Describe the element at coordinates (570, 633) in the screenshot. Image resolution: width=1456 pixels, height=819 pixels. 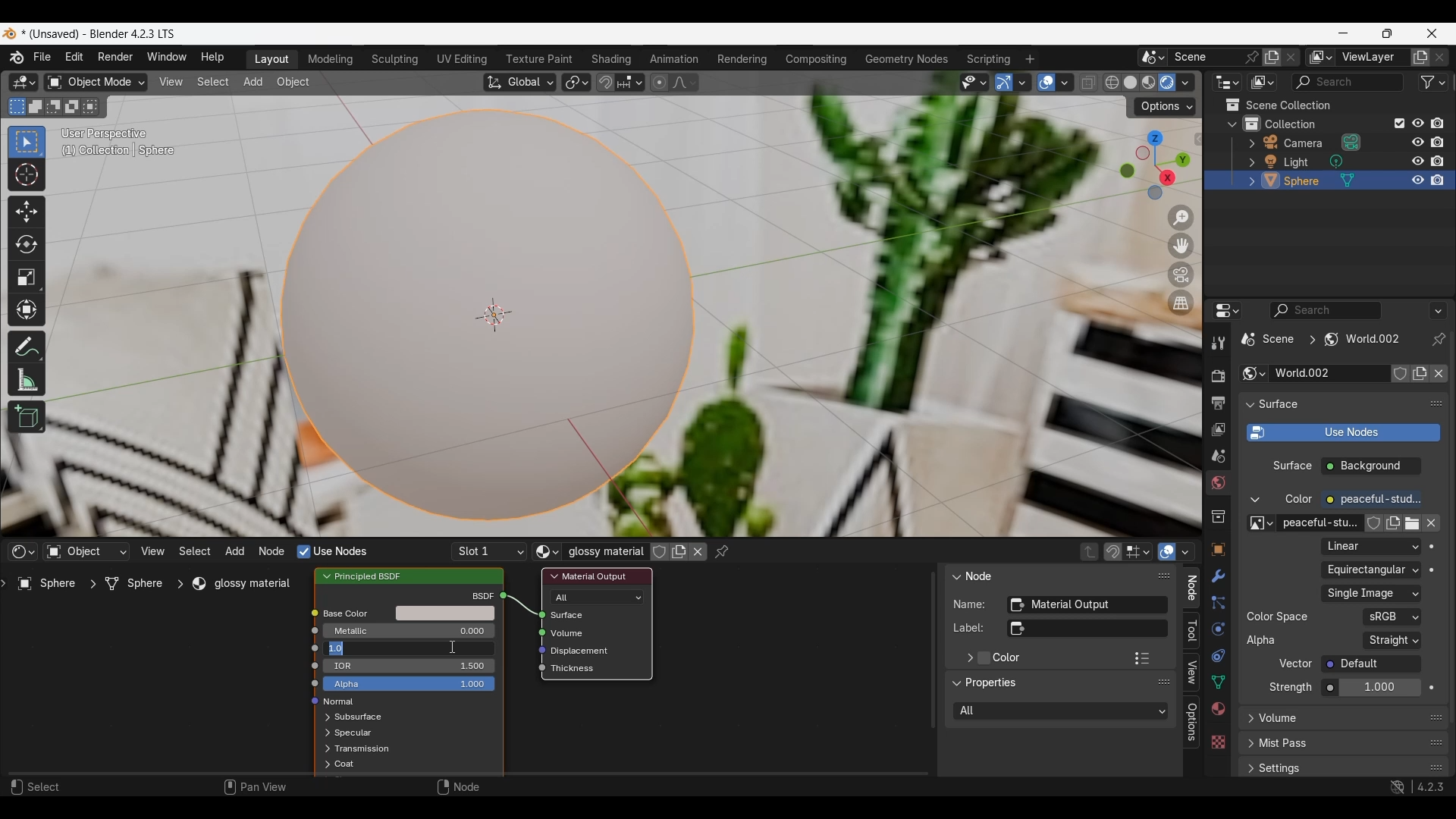
I see `Volume` at that location.